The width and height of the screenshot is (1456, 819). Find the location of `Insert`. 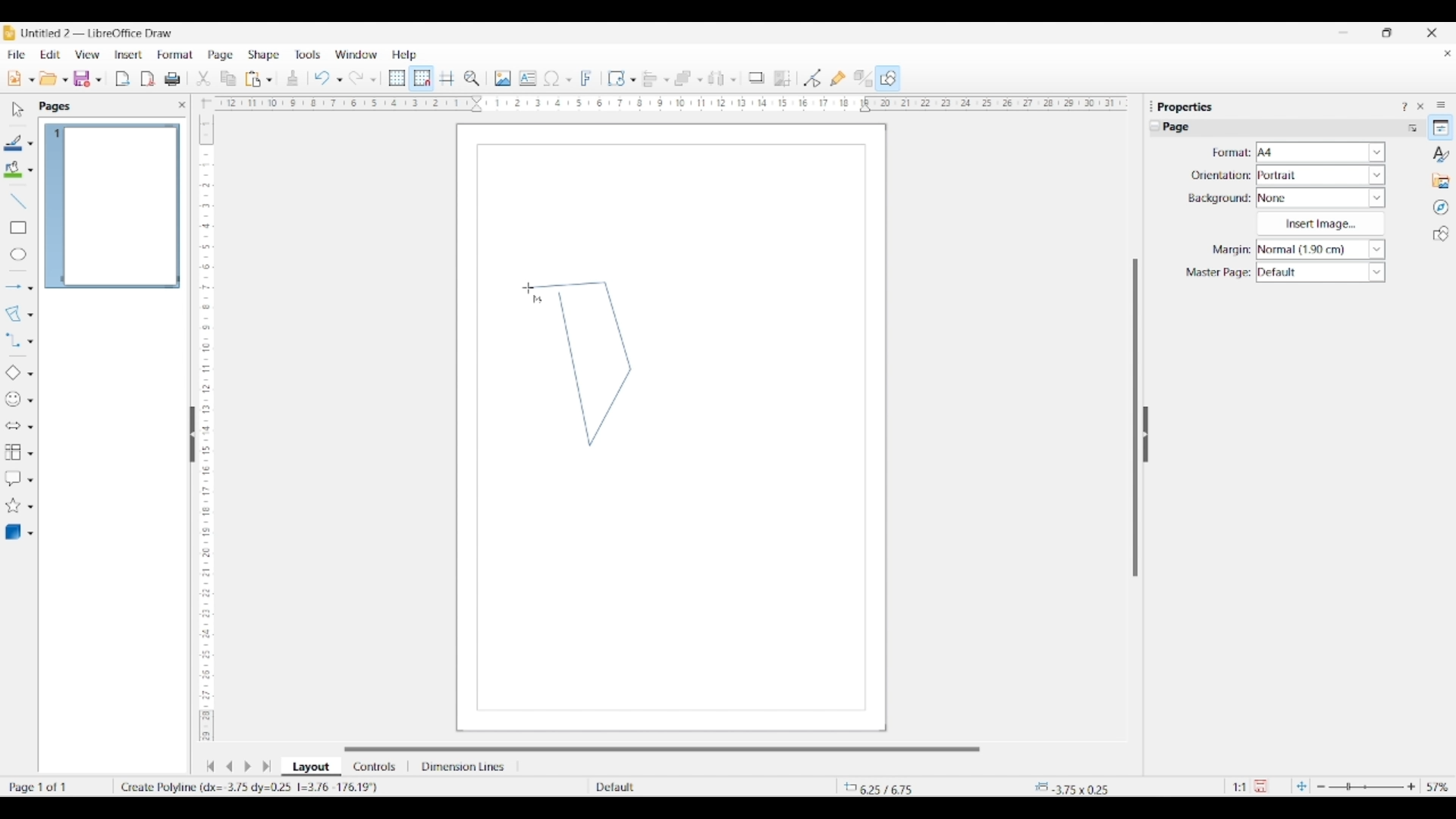

Insert is located at coordinates (129, 55).